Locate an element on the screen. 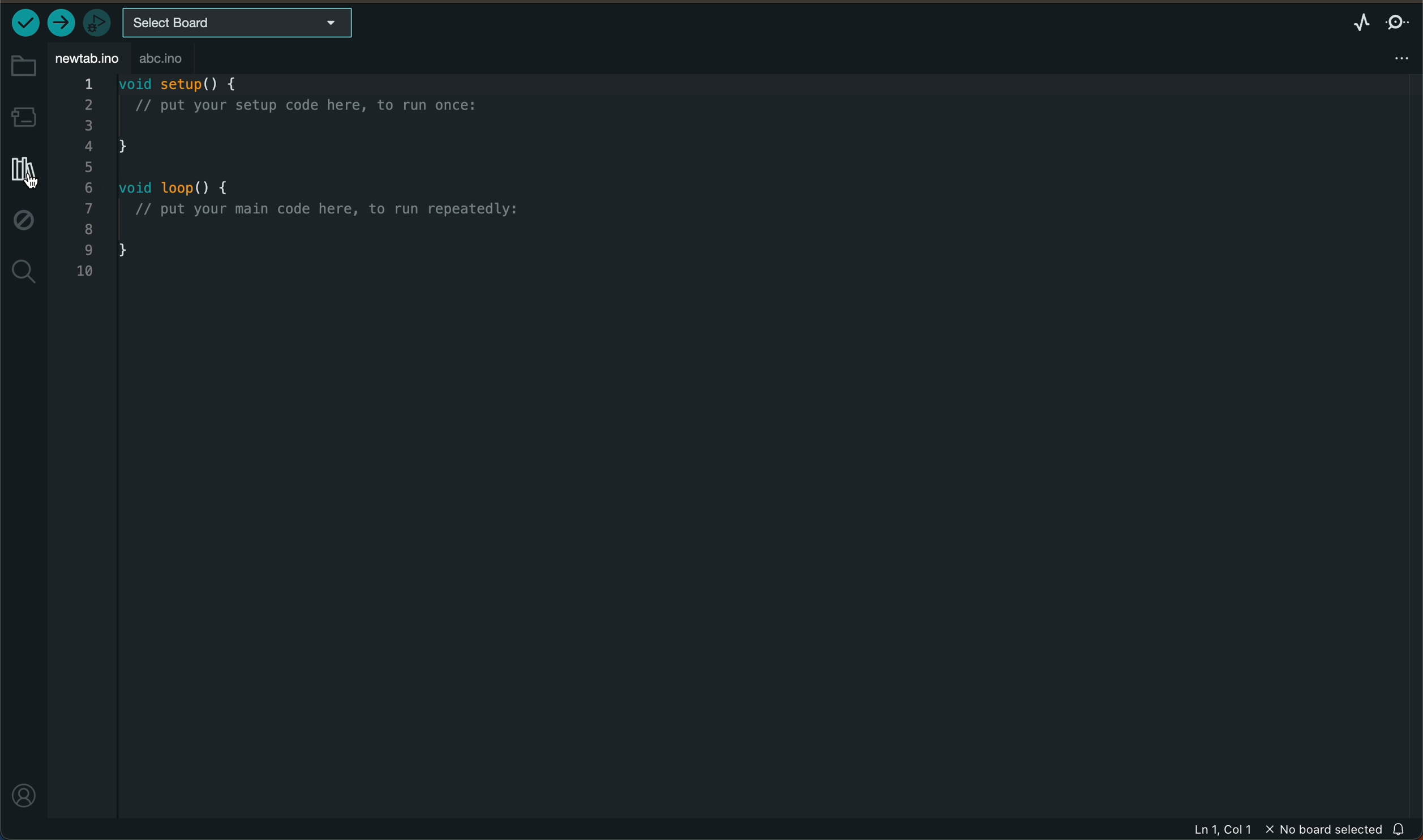 The image size is (1423, 840). profile is located at coordinates (25, 794).